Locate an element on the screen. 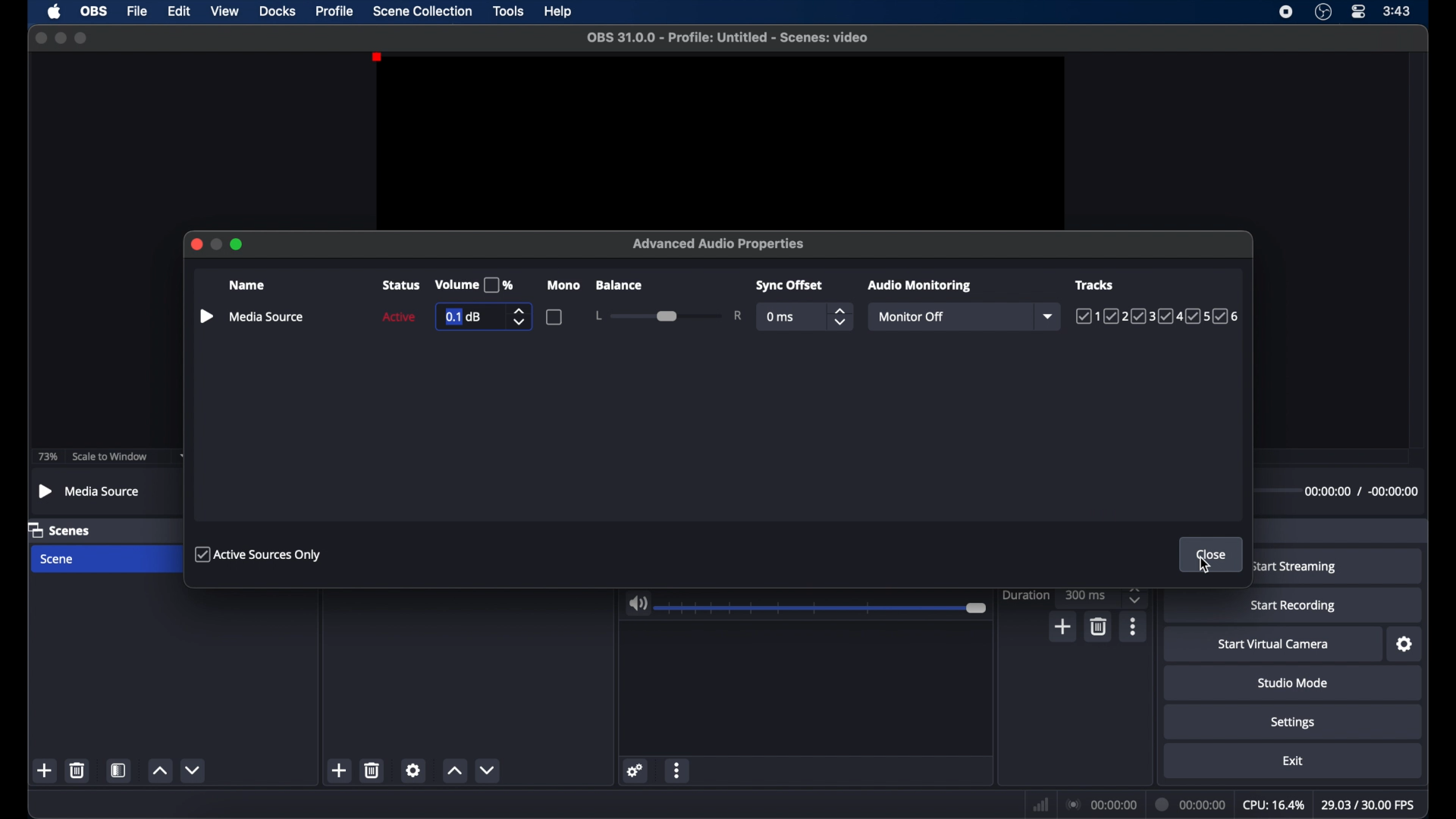 This screenshot has height=819, width=1456. cursor is located at coordinates (1205, 566).